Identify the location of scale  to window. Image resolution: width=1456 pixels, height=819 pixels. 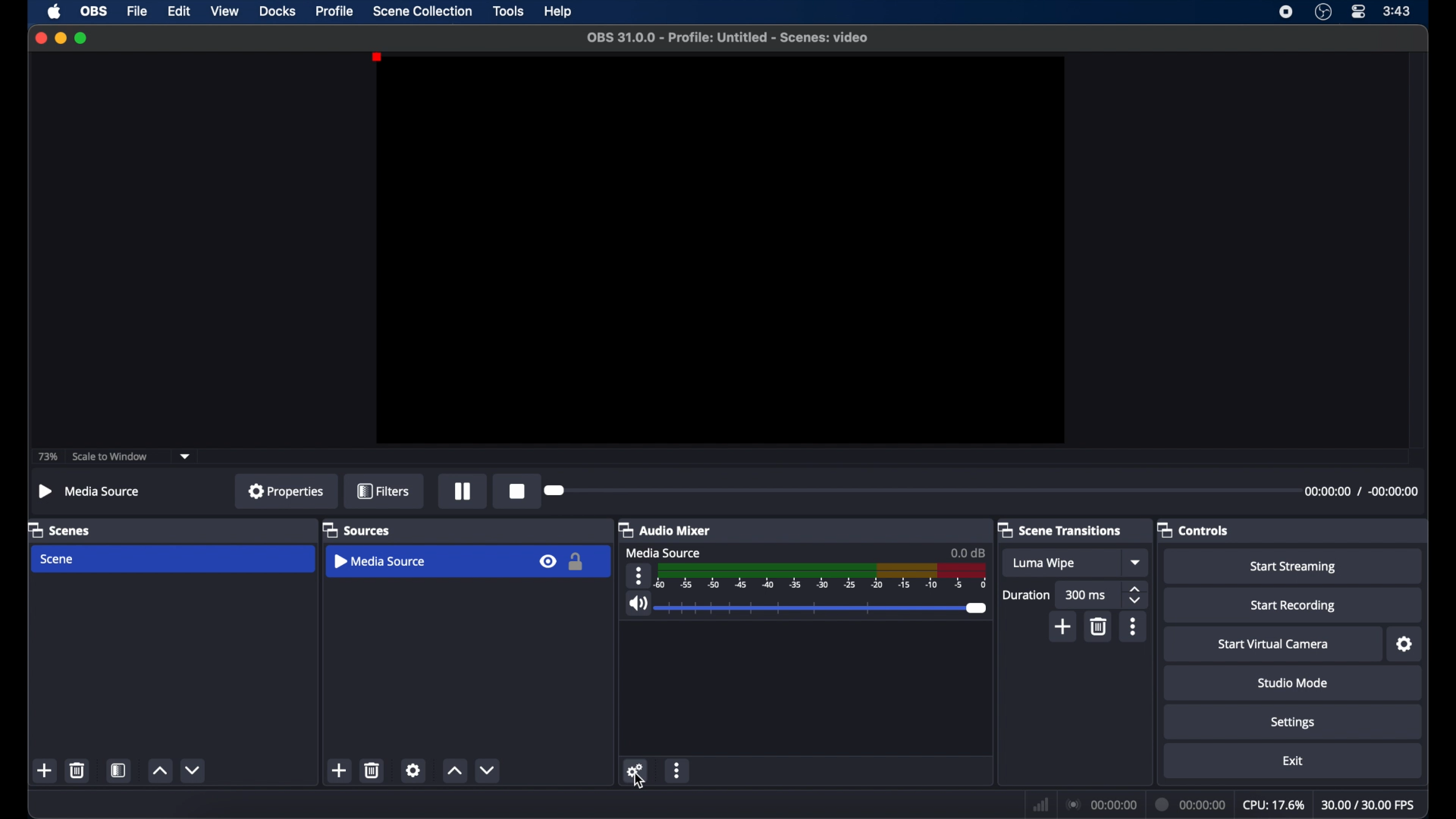
(110, 457).